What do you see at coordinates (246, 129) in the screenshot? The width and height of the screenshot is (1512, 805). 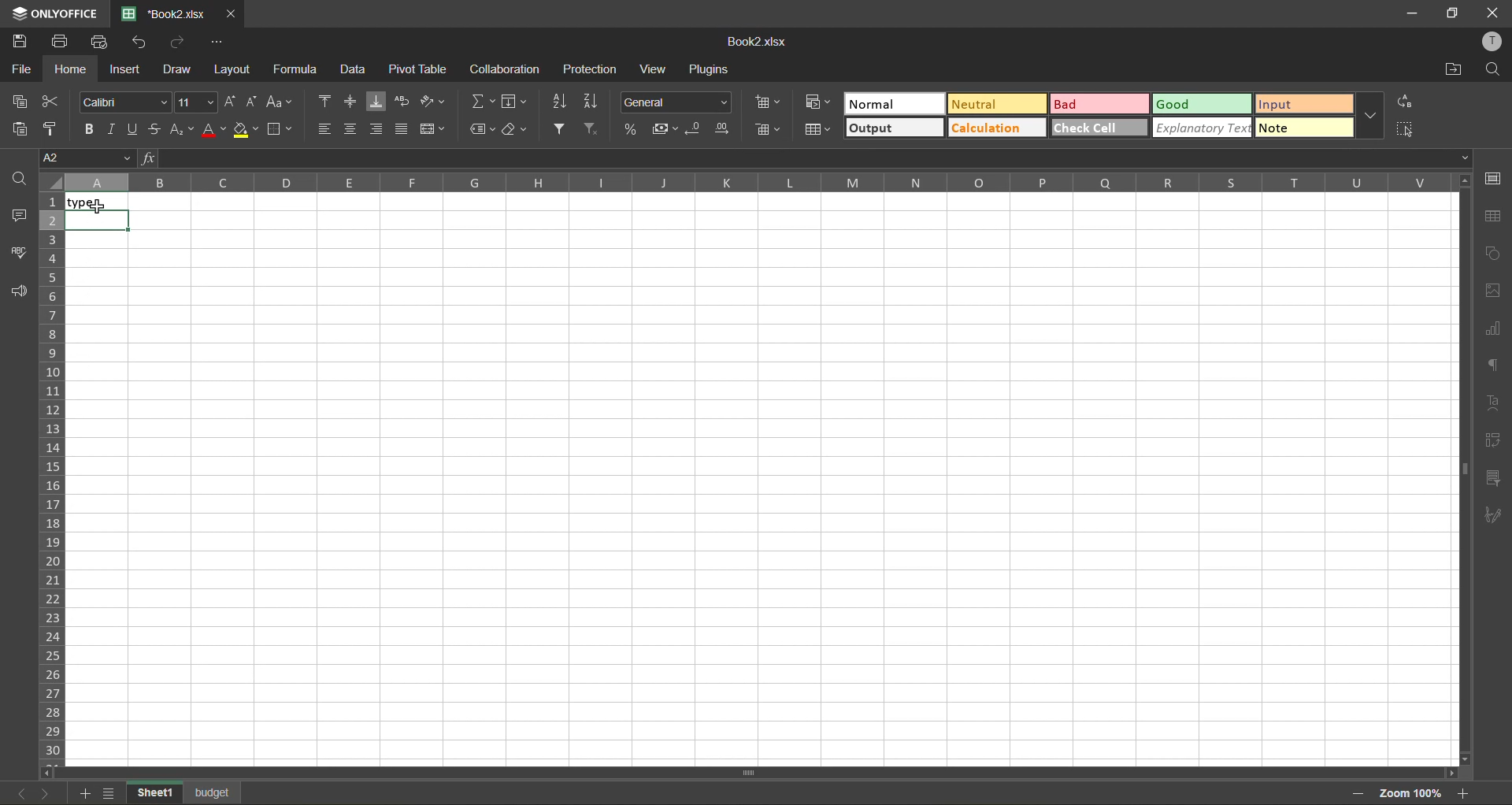 I see `fill color` at bounding box center [246, 129].